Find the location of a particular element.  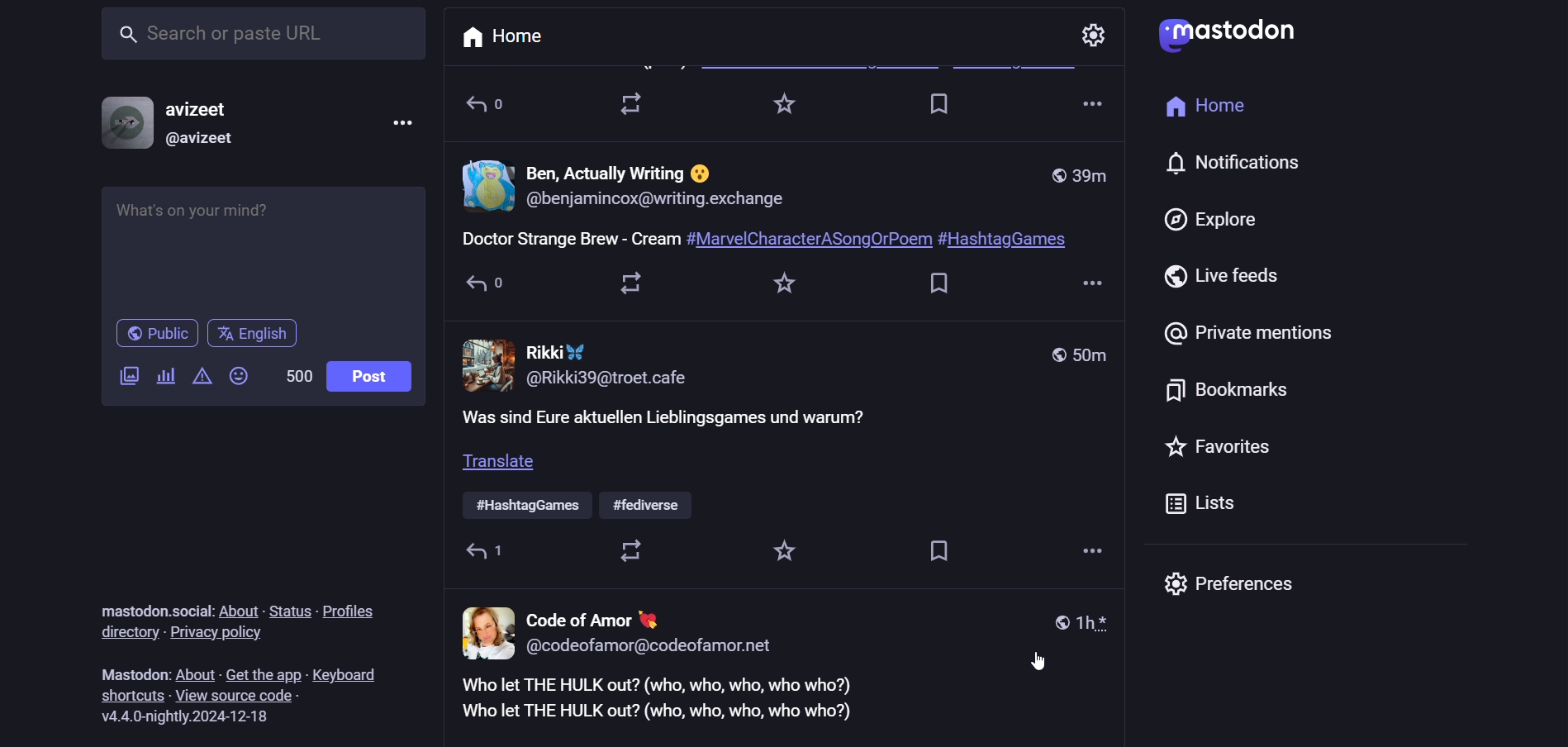

50m is located at coordinates (1073, 352).